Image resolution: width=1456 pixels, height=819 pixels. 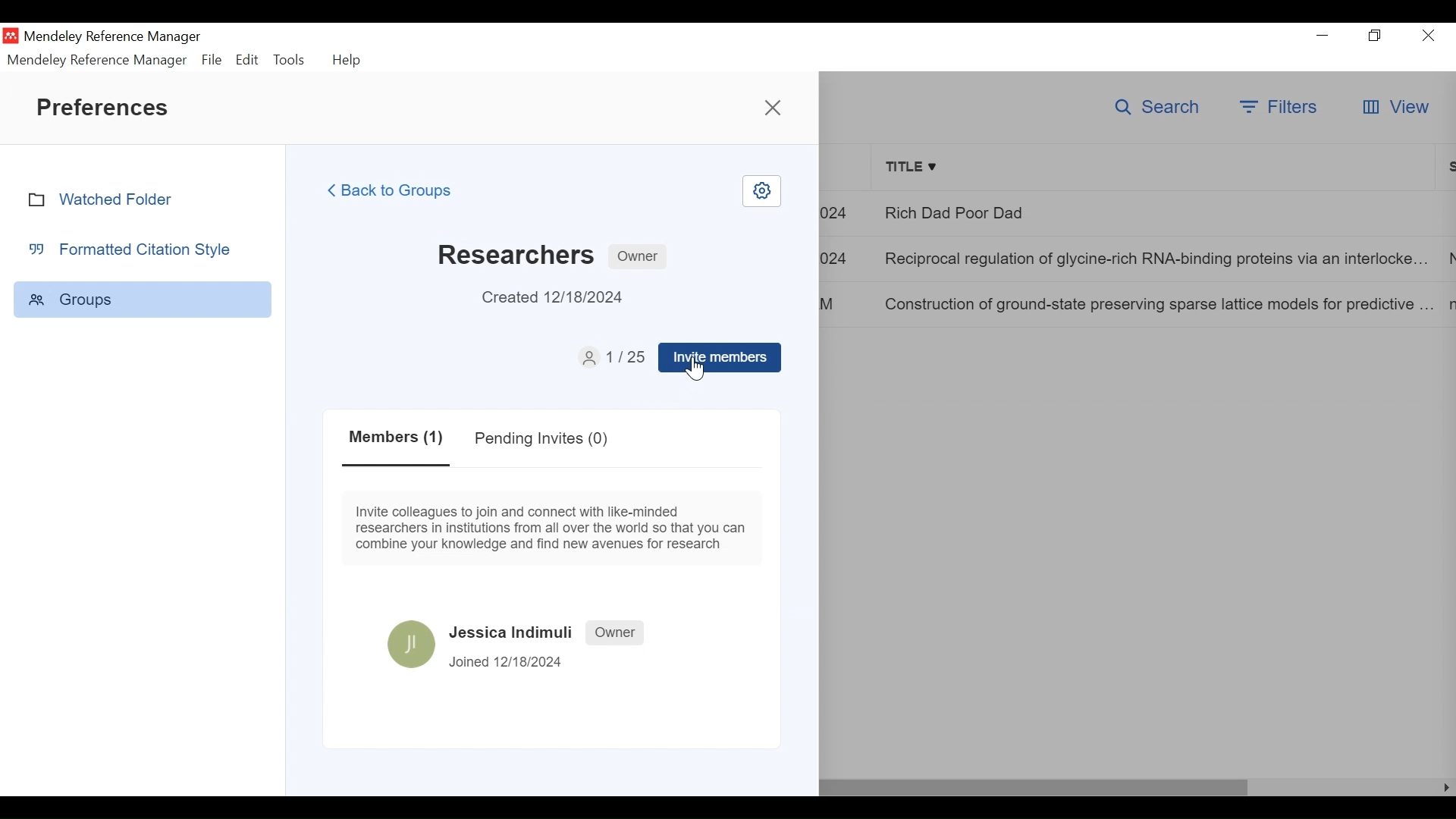 What do you see at coordinates (1154, 108) in the screenshot?
I see `Search` at bounding box center [1154, 108].